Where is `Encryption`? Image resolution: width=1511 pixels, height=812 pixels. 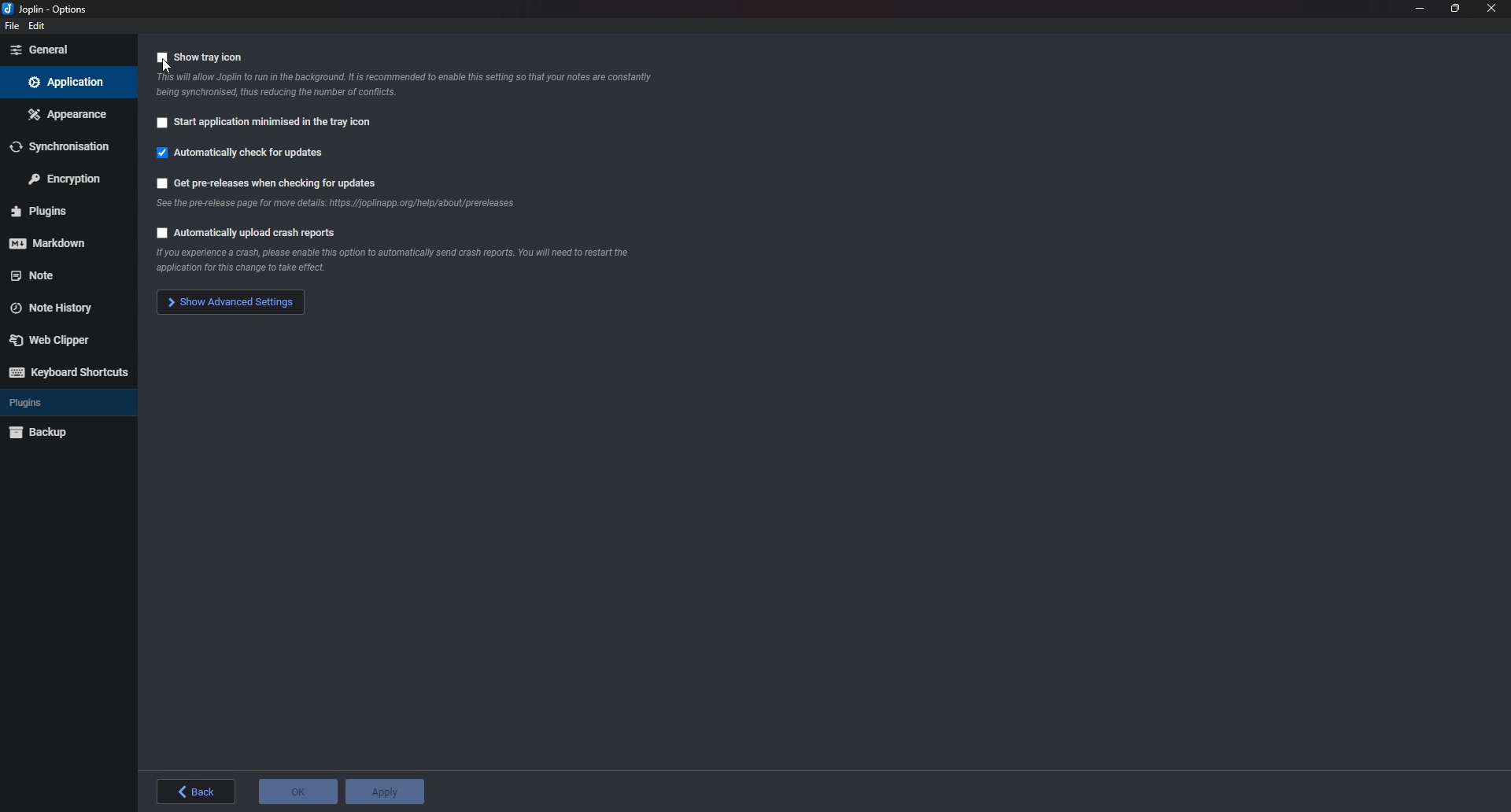 Encryption is located at coordinates (64, 178).